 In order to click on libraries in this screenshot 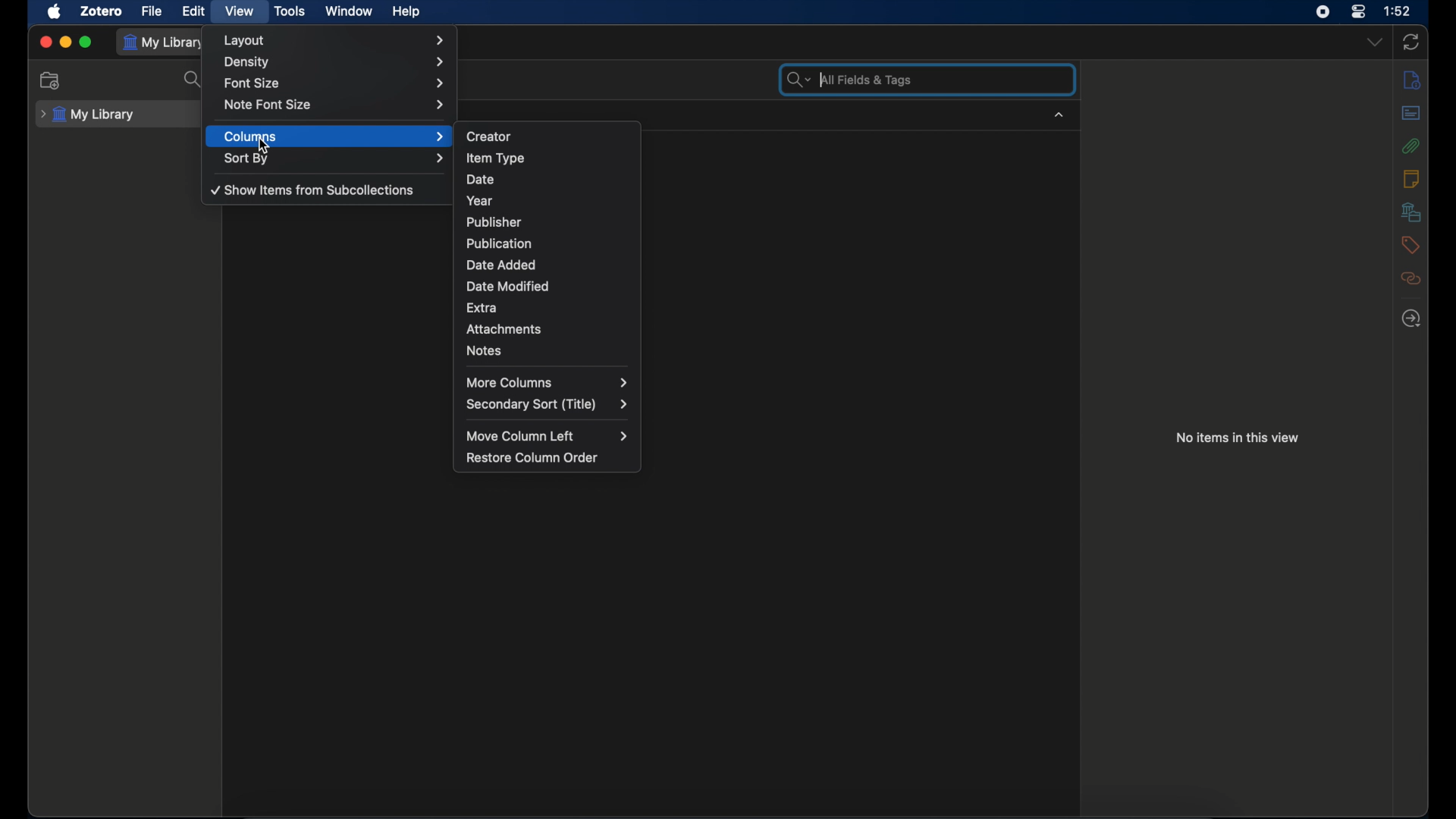, I will do `click(1412, 212)`.